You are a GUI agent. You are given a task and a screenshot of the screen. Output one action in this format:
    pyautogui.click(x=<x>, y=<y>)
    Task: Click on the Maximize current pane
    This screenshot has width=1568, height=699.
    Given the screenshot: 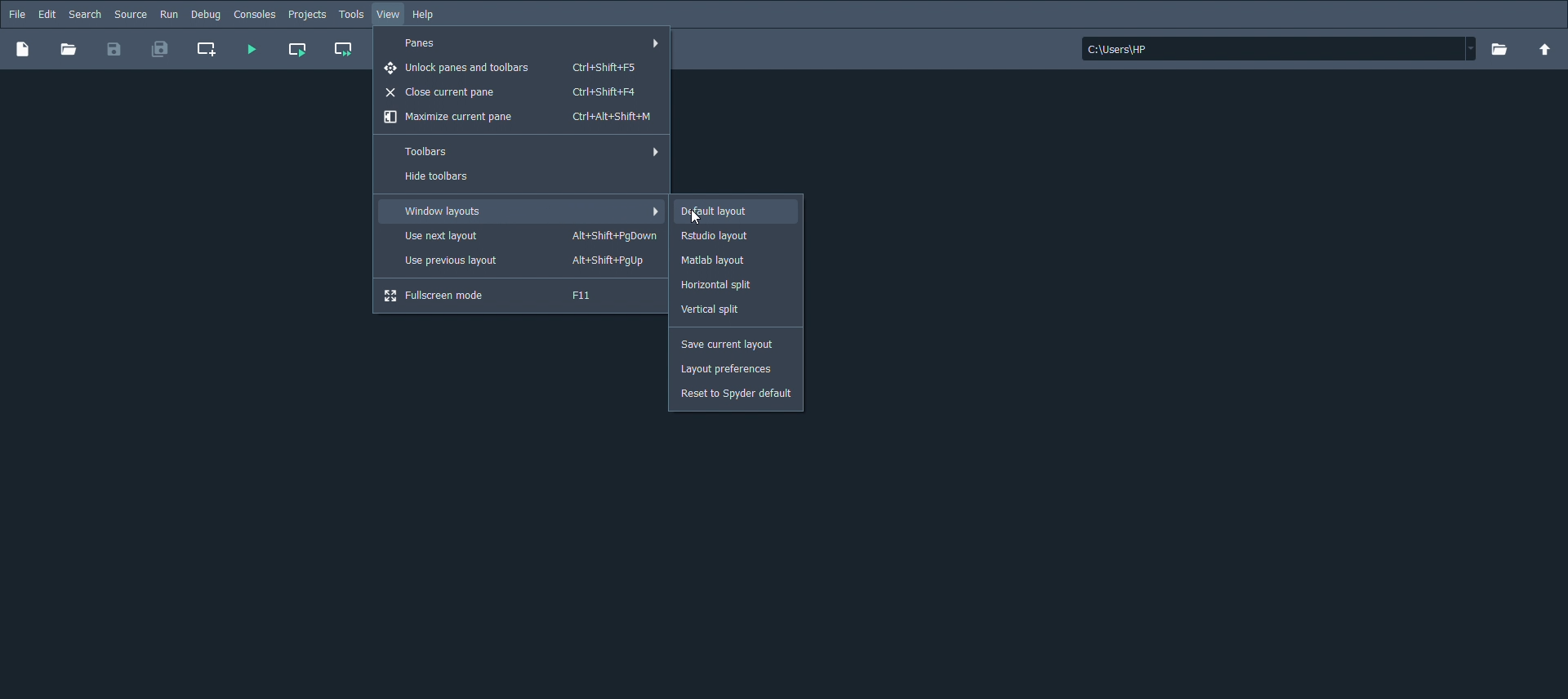 What is the action you would take?
    pyautogui.click(x=519, y=118)
    